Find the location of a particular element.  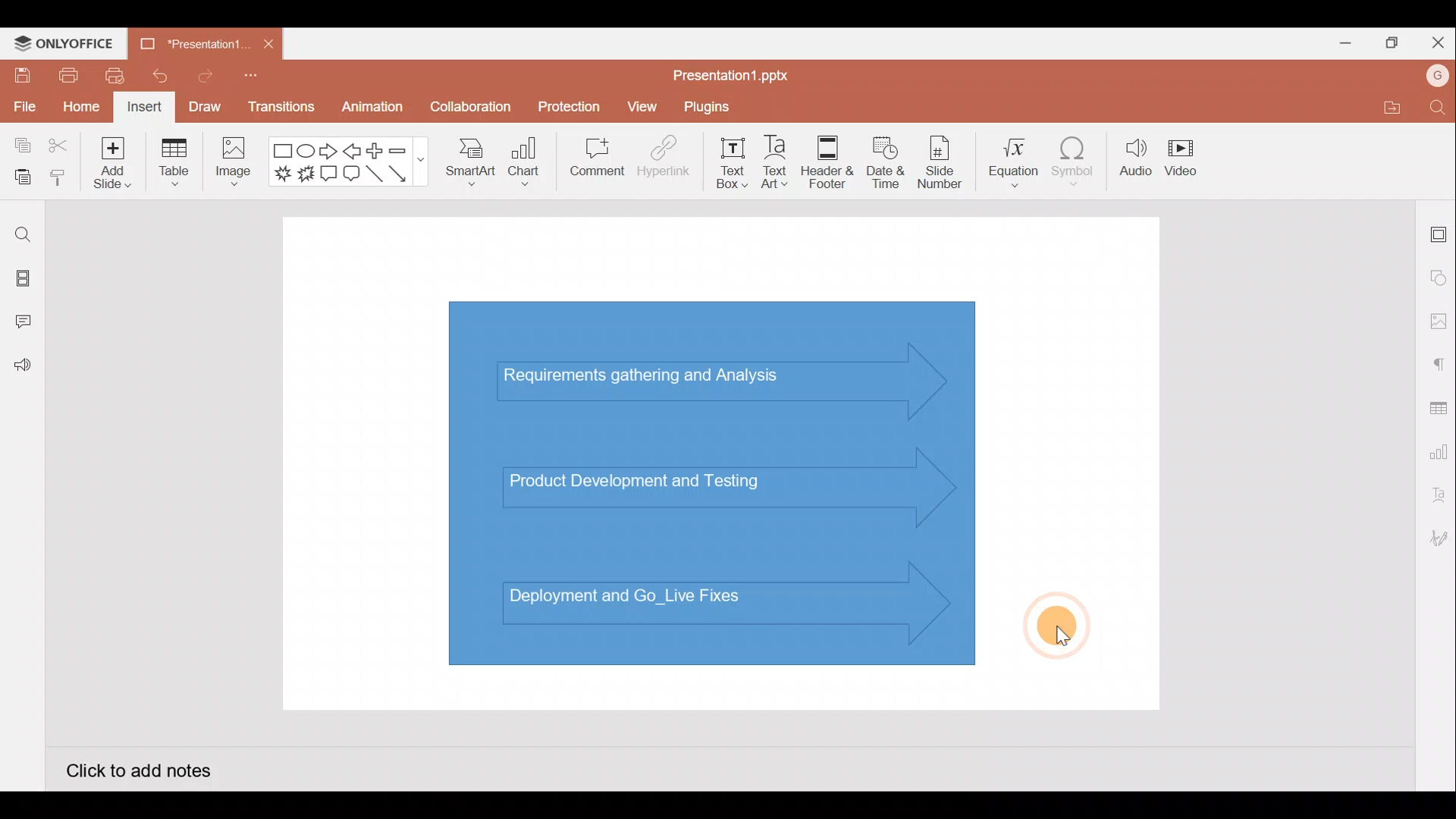

Table is located at coordinates (176, 164).